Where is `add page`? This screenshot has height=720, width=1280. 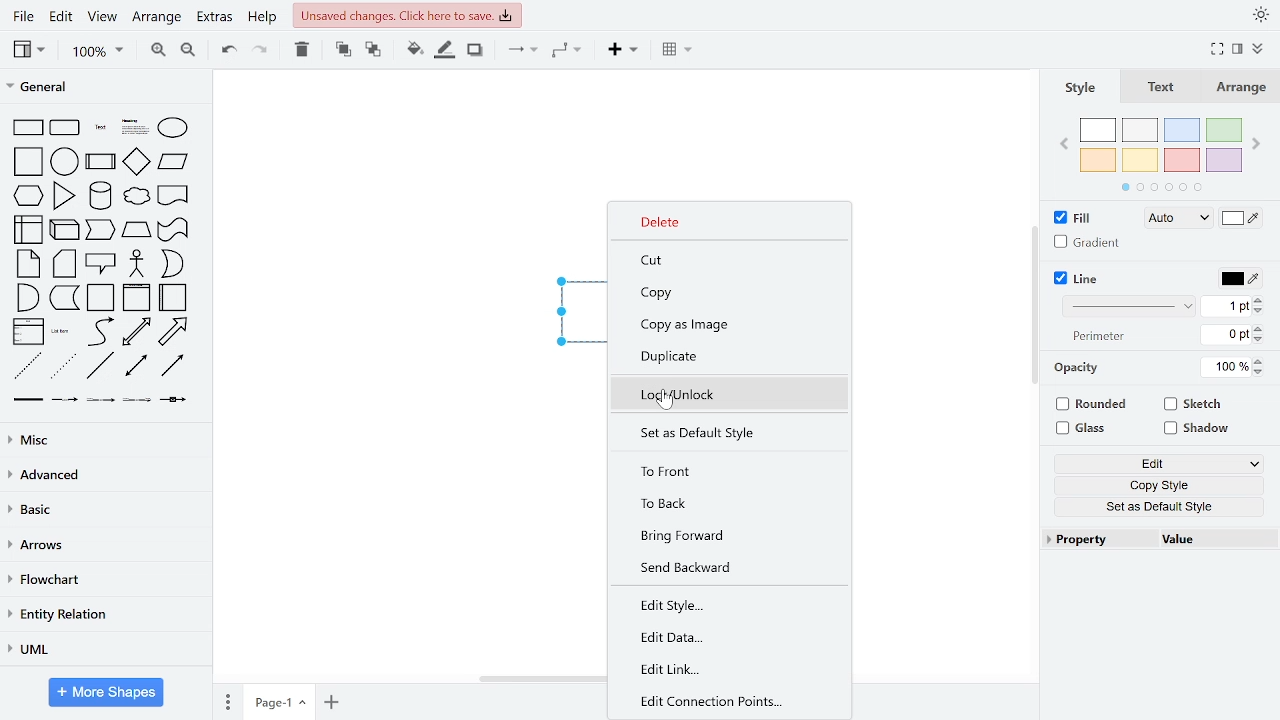
add page is located at coordinates (331, 703).